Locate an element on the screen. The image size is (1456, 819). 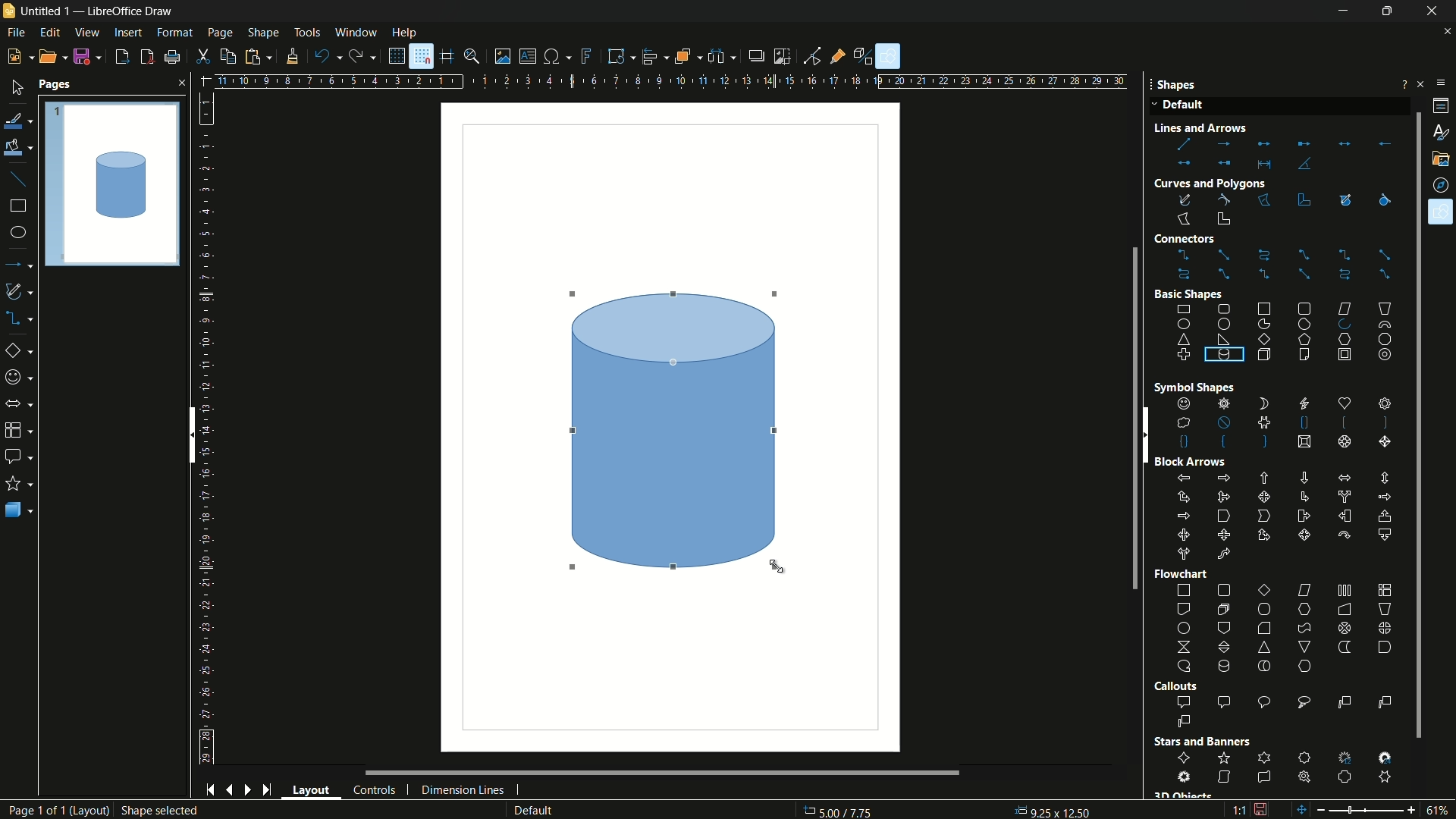
ellipse is located at coordinates (17, 233).